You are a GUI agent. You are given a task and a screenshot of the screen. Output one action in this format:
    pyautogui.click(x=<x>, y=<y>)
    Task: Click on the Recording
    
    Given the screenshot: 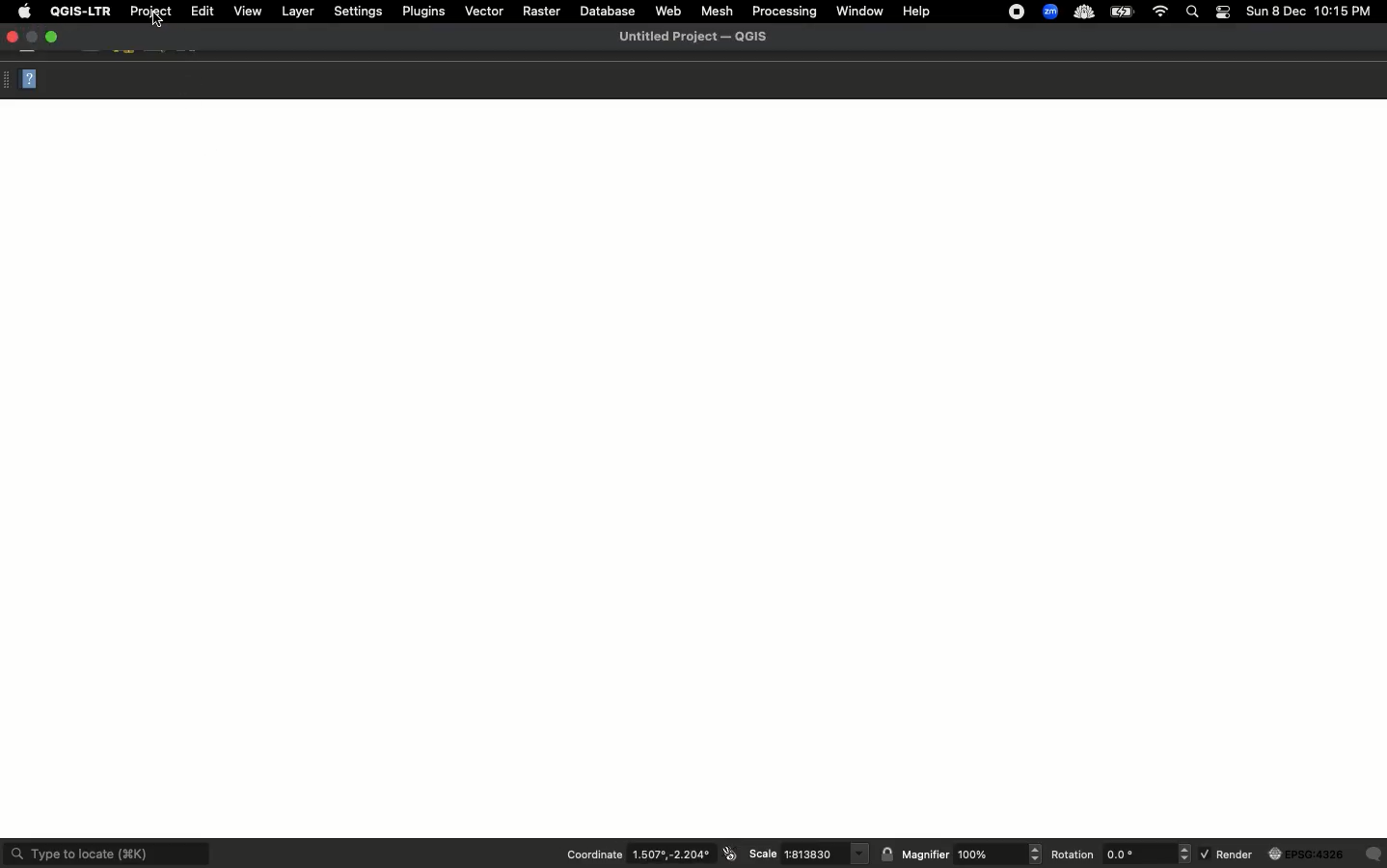 What is the action you would take?
    pyautogui.click(x=1015, y=12)
    